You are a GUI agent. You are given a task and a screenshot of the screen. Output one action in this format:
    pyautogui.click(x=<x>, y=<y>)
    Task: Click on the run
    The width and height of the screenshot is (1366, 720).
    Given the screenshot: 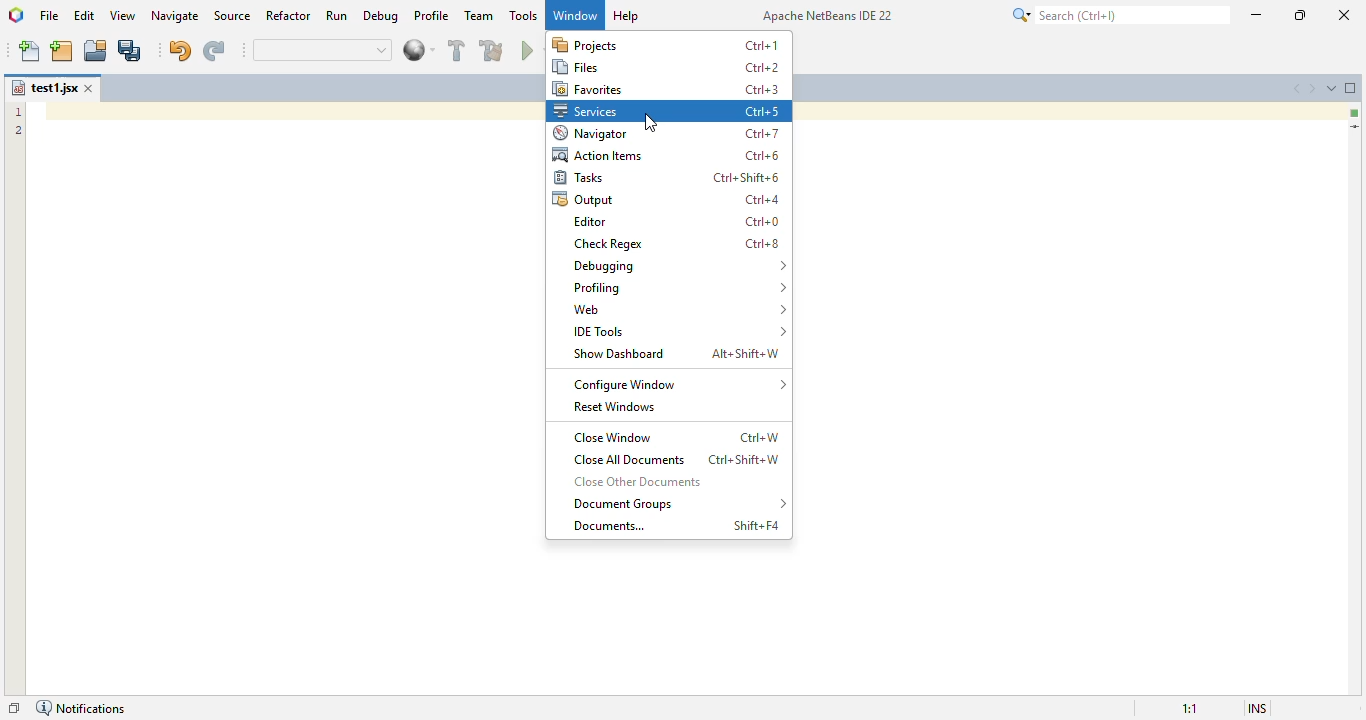 What is the action you would take?
    pyautogui.click(x=337, y=15)
    